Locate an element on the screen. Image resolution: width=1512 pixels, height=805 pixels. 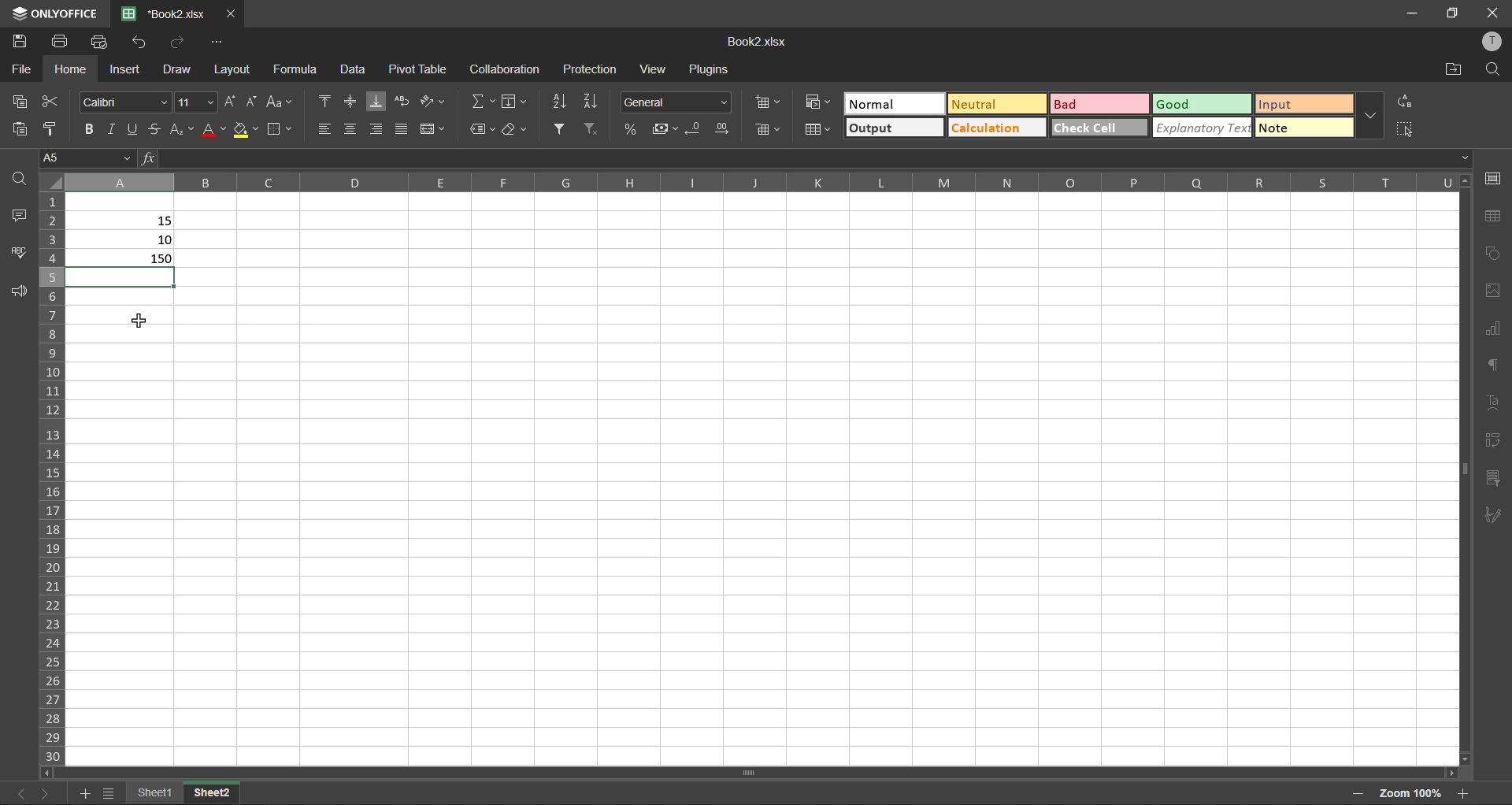
paragraph is located at coordinates (1492, 365).